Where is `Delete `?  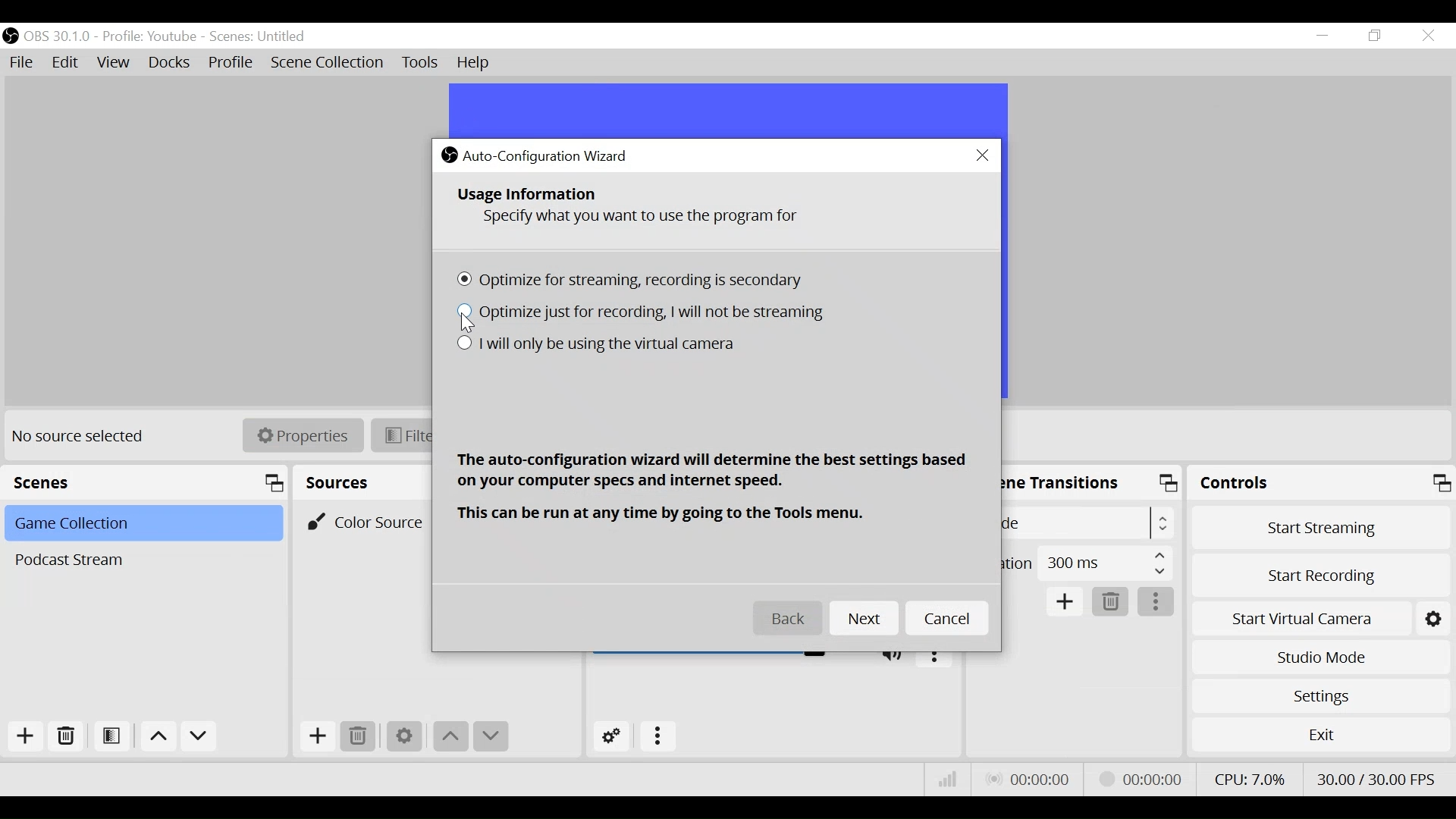 Delete  is located at coordinates (1112, 602).